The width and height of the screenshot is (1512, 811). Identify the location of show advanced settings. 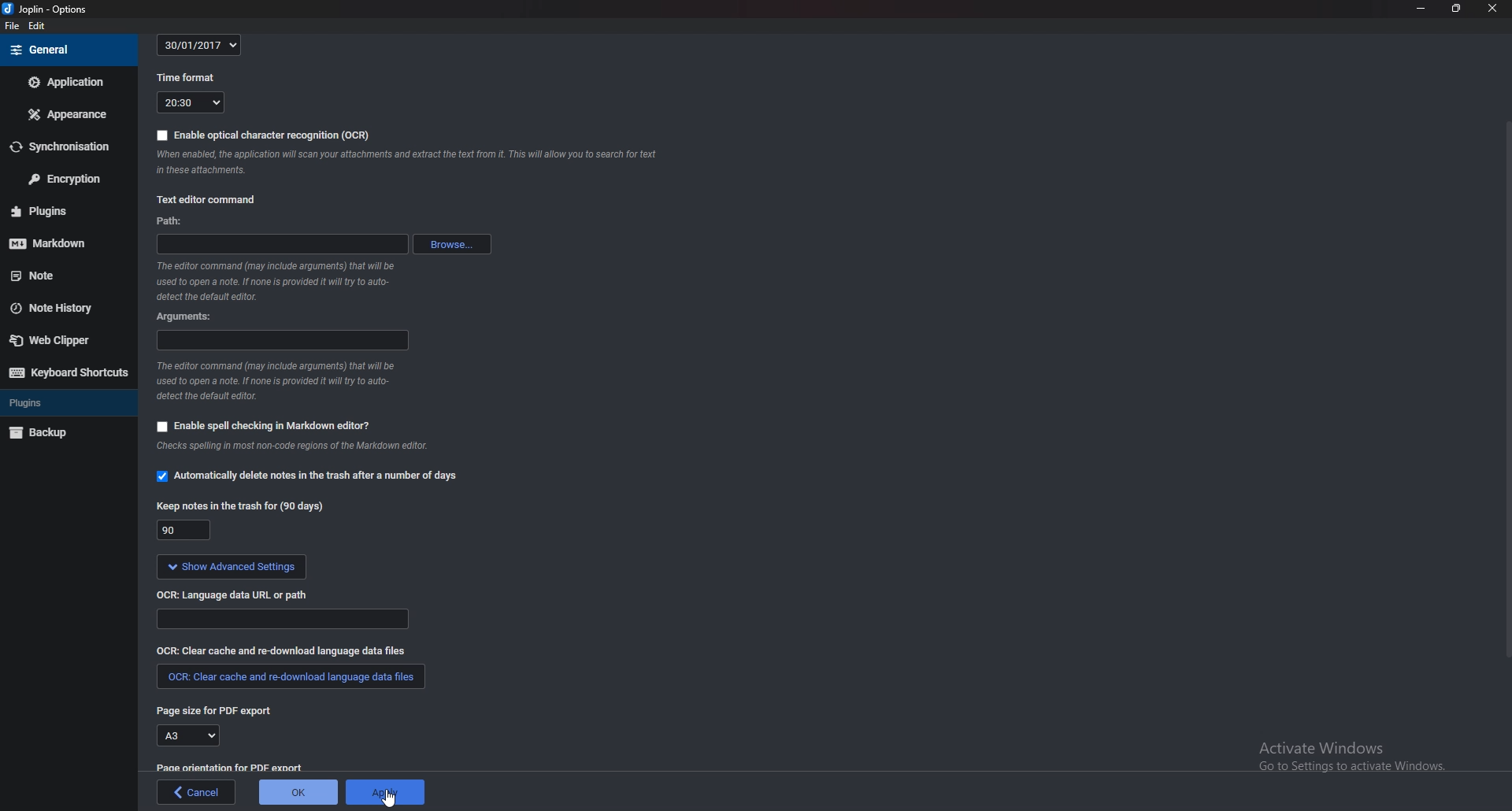
(233, 567).